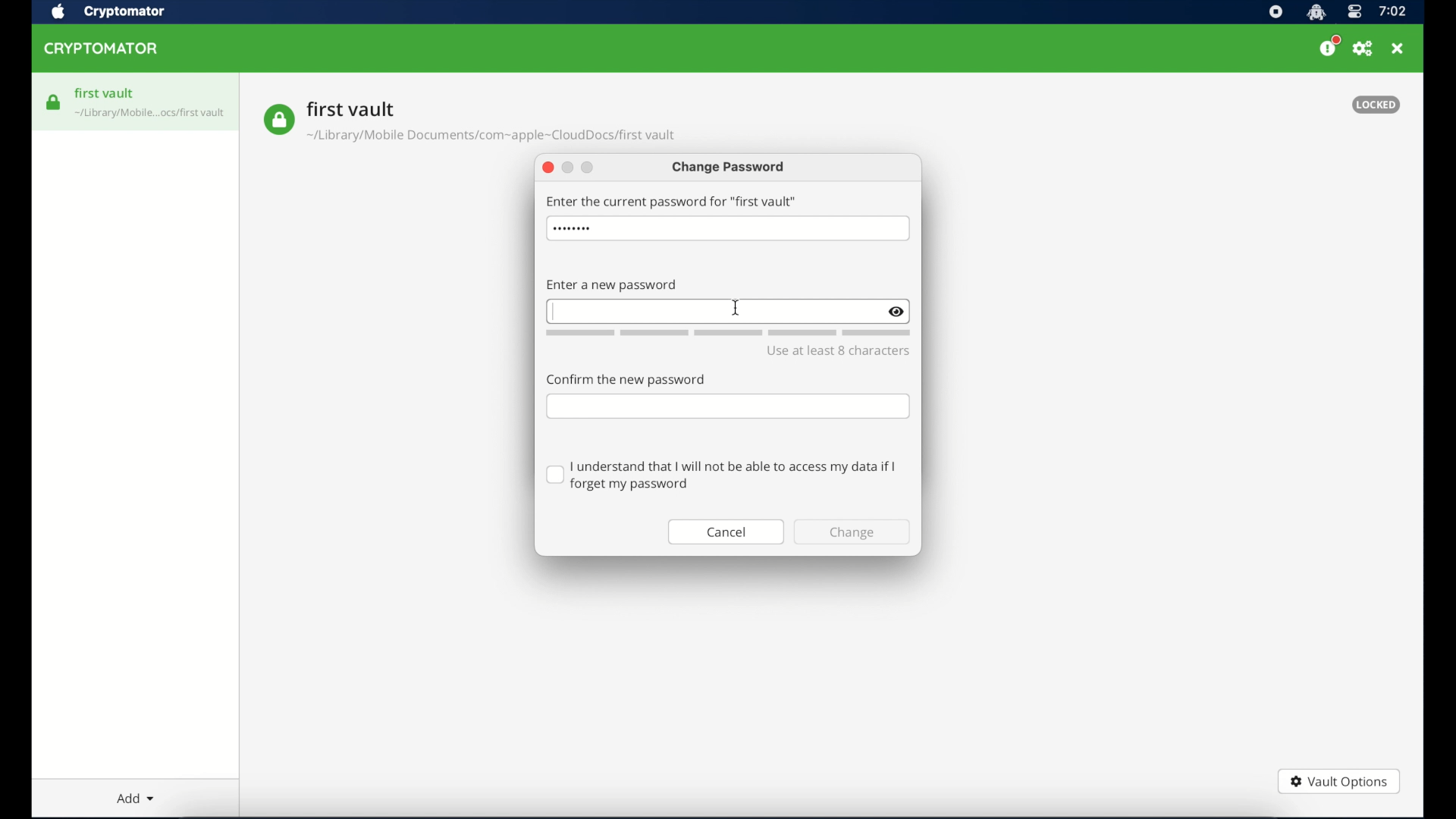 The height and width of the screenshot is (819, 1456). Describe the element at coordinates (1376, 105) in the screenshot. I see `locked` at that location.